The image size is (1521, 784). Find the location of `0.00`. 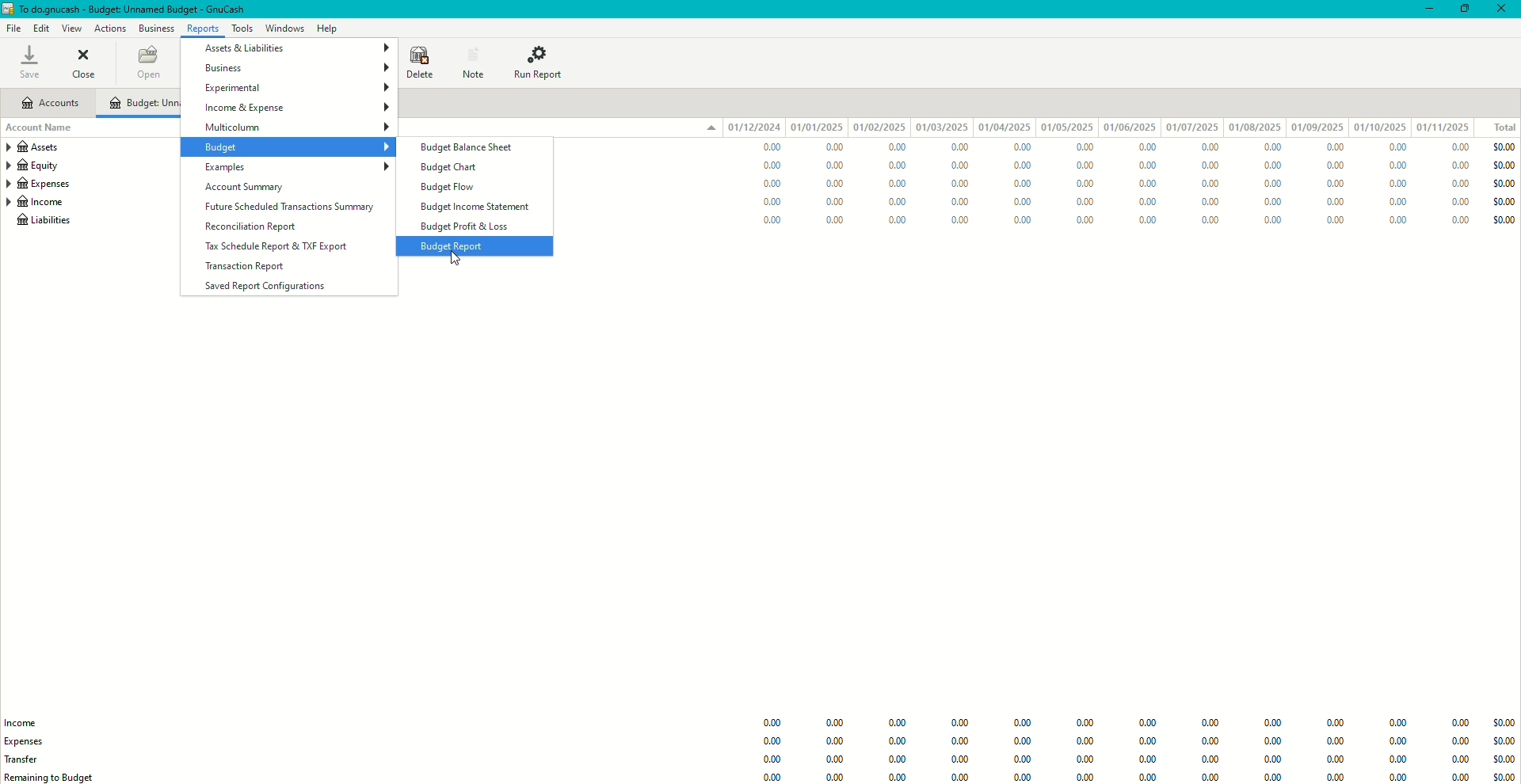

0.00 is located at coordinates (1023, 203).